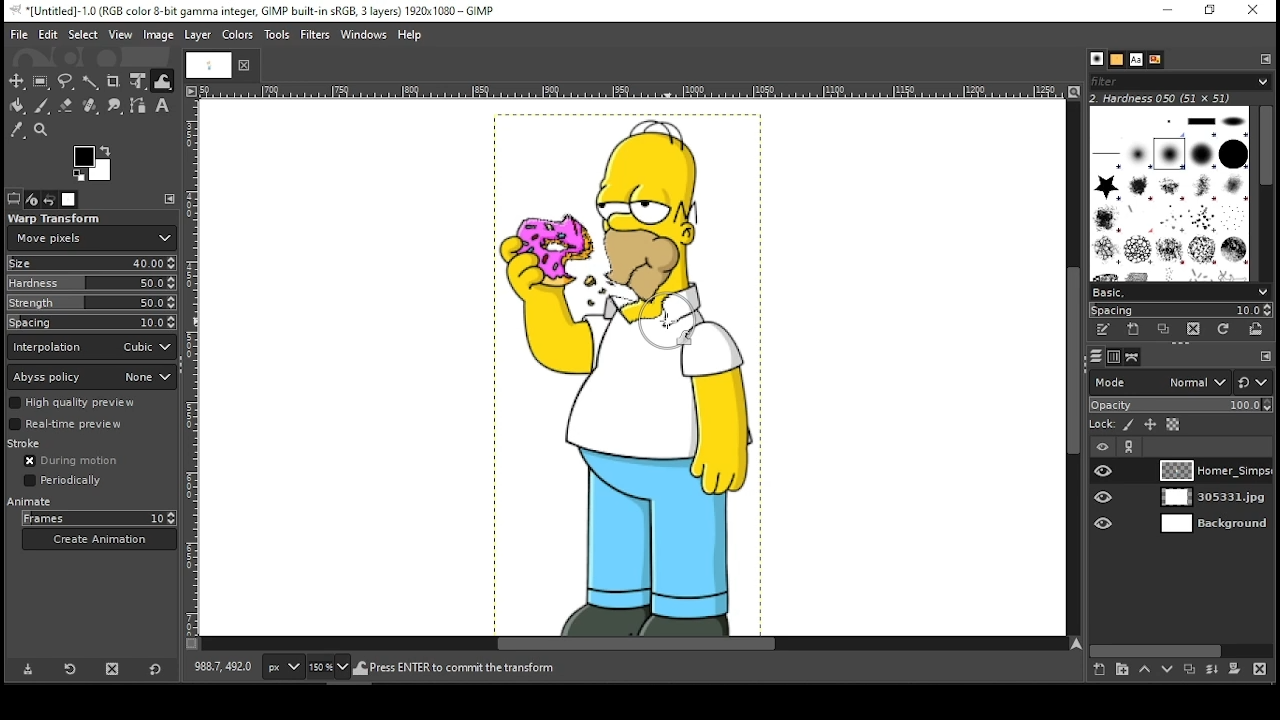 Image resolution: width=1280 pixels, height=720 pixels. What do you see at coordinates (665, 323) in the screenshot?
I see `mouse pointer` at bounding box center [665, 323].